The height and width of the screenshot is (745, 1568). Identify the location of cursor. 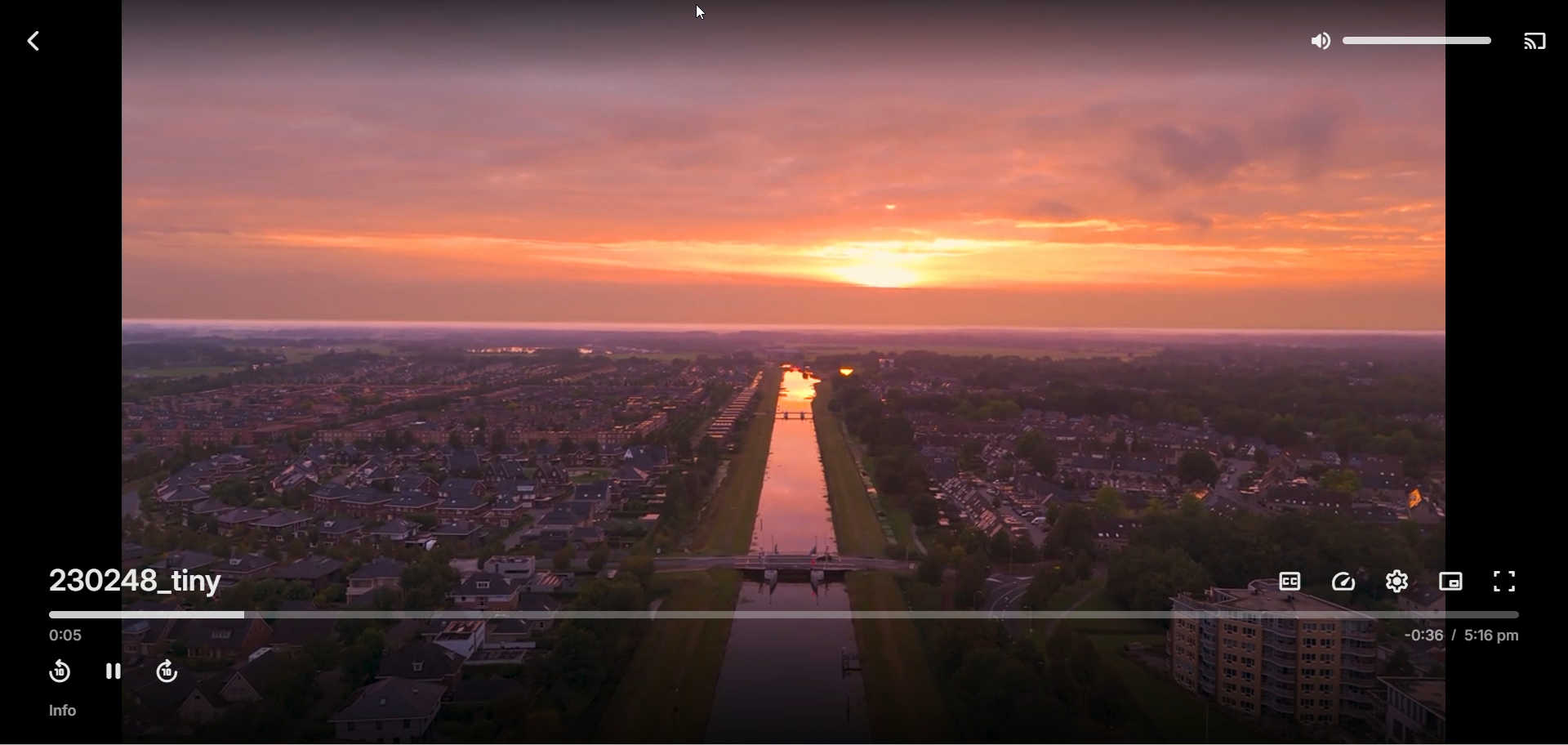
(700, 16).